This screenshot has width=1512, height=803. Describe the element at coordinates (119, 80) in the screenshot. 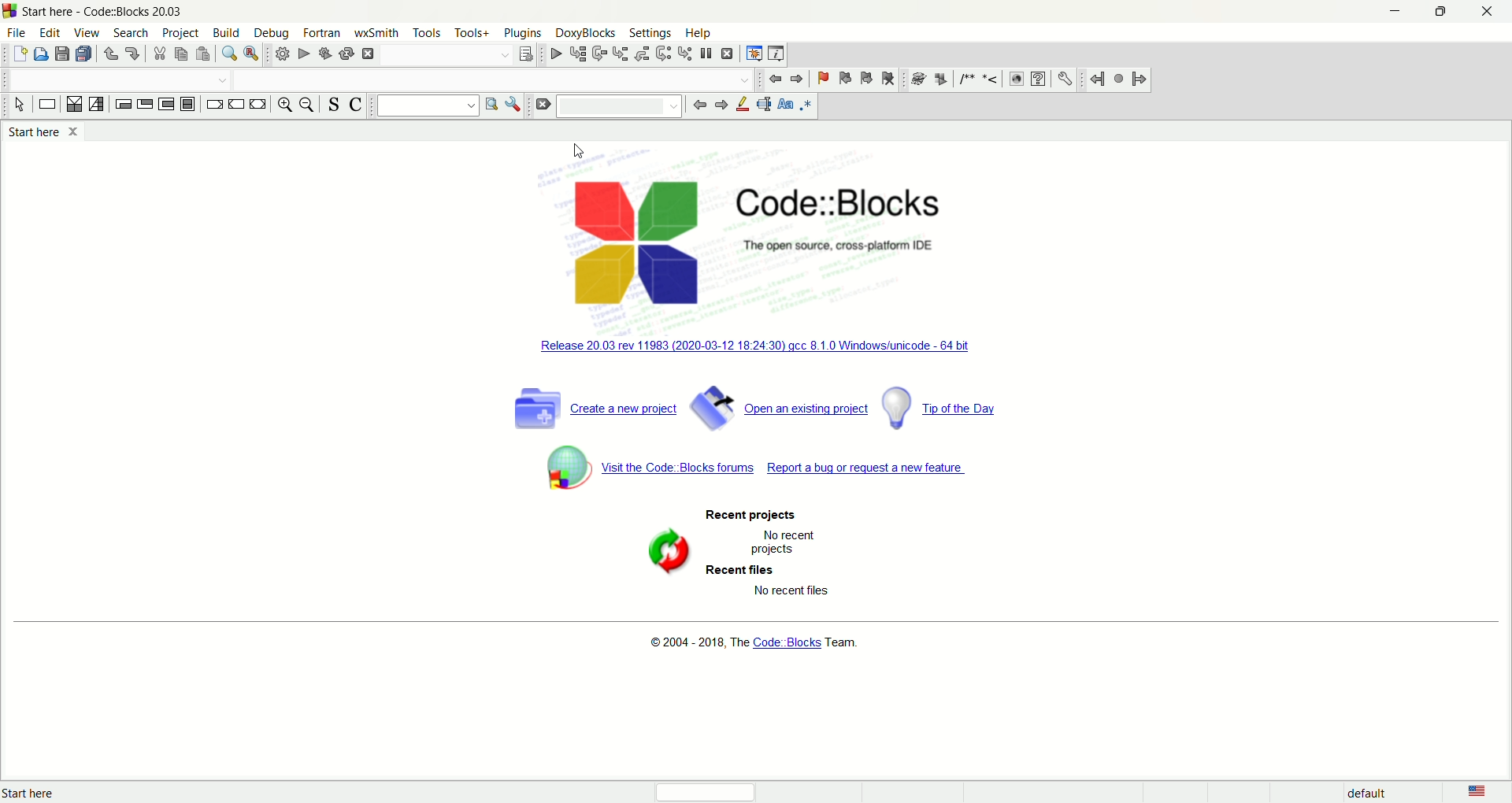

I see `drop down` at that location.